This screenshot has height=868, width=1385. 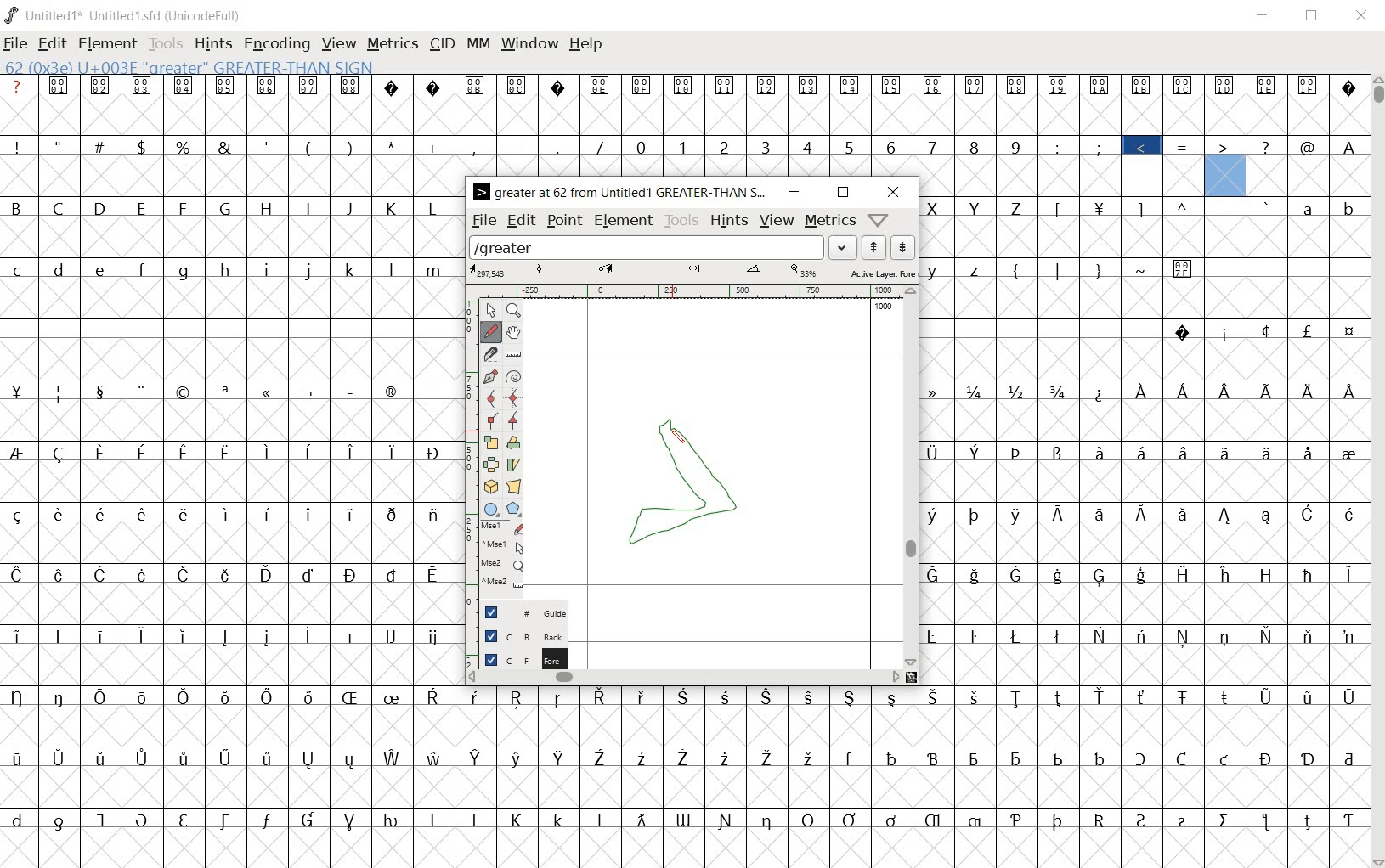 I want to click on glyphs, so click(x=227, y=465).